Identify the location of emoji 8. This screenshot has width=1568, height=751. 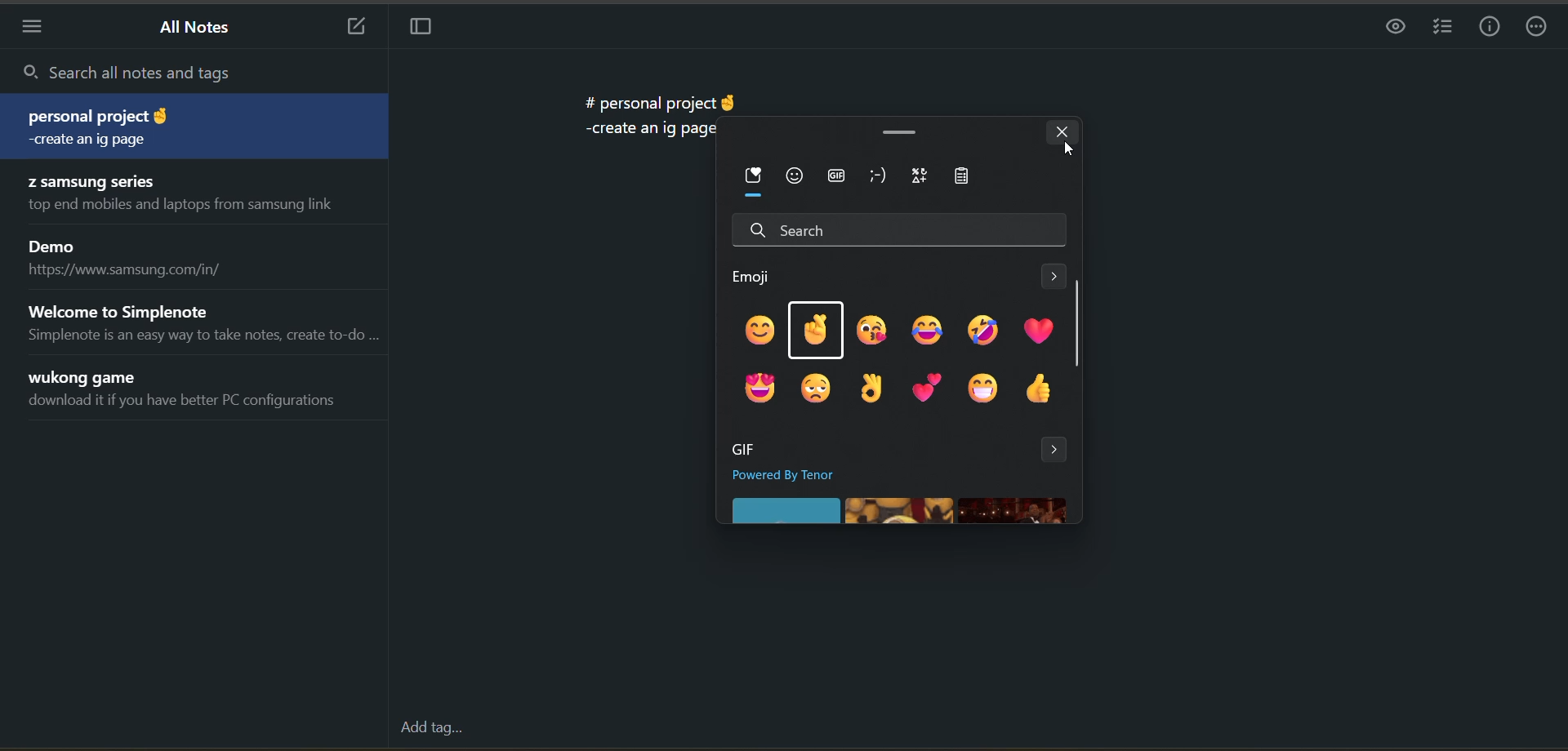
(817, 390).